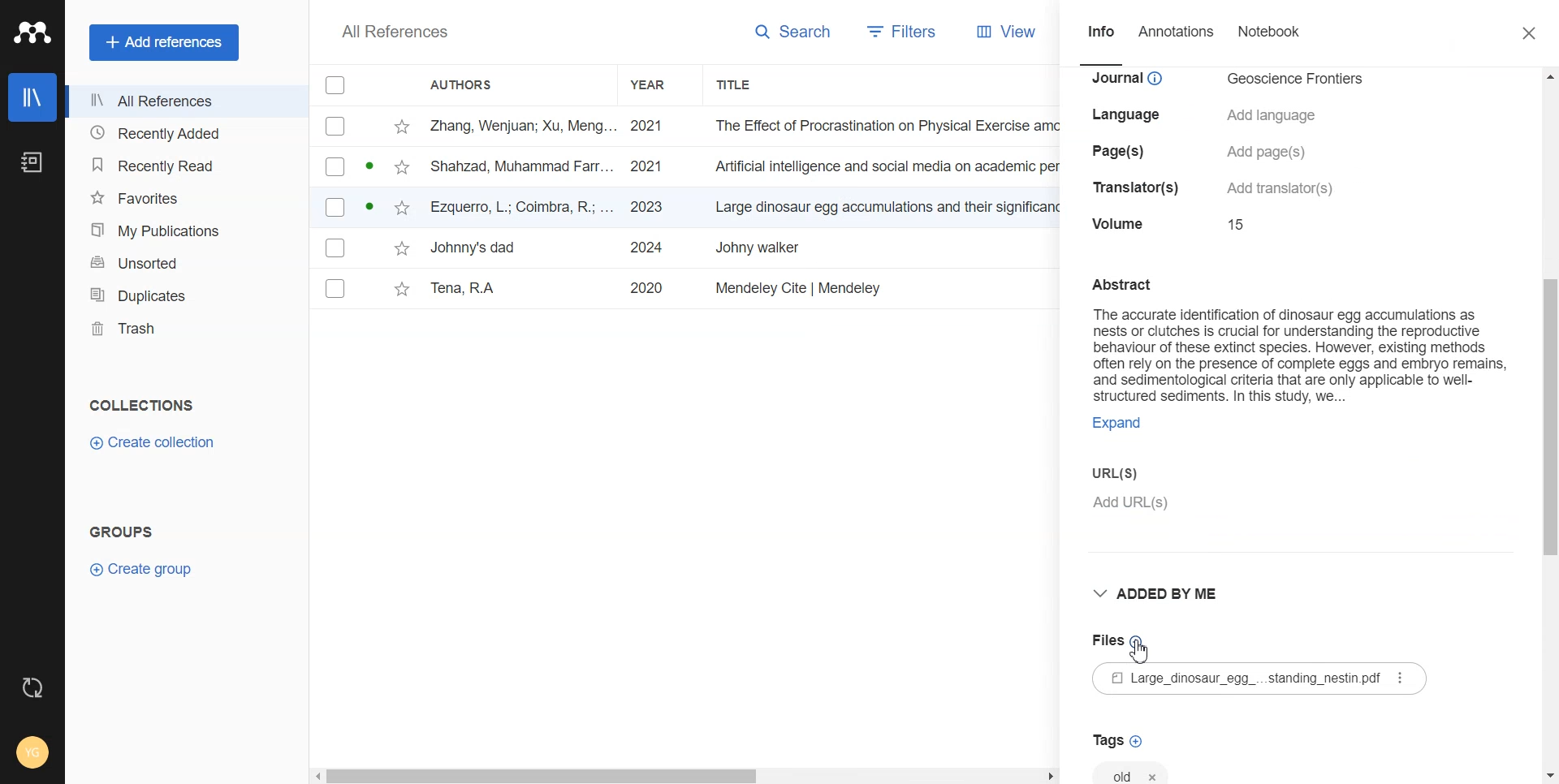 The image size is (1559, 784). What do you see at coordinates (749, 125) in the screenshot?
I see `File` at bounding box center [749, 125].